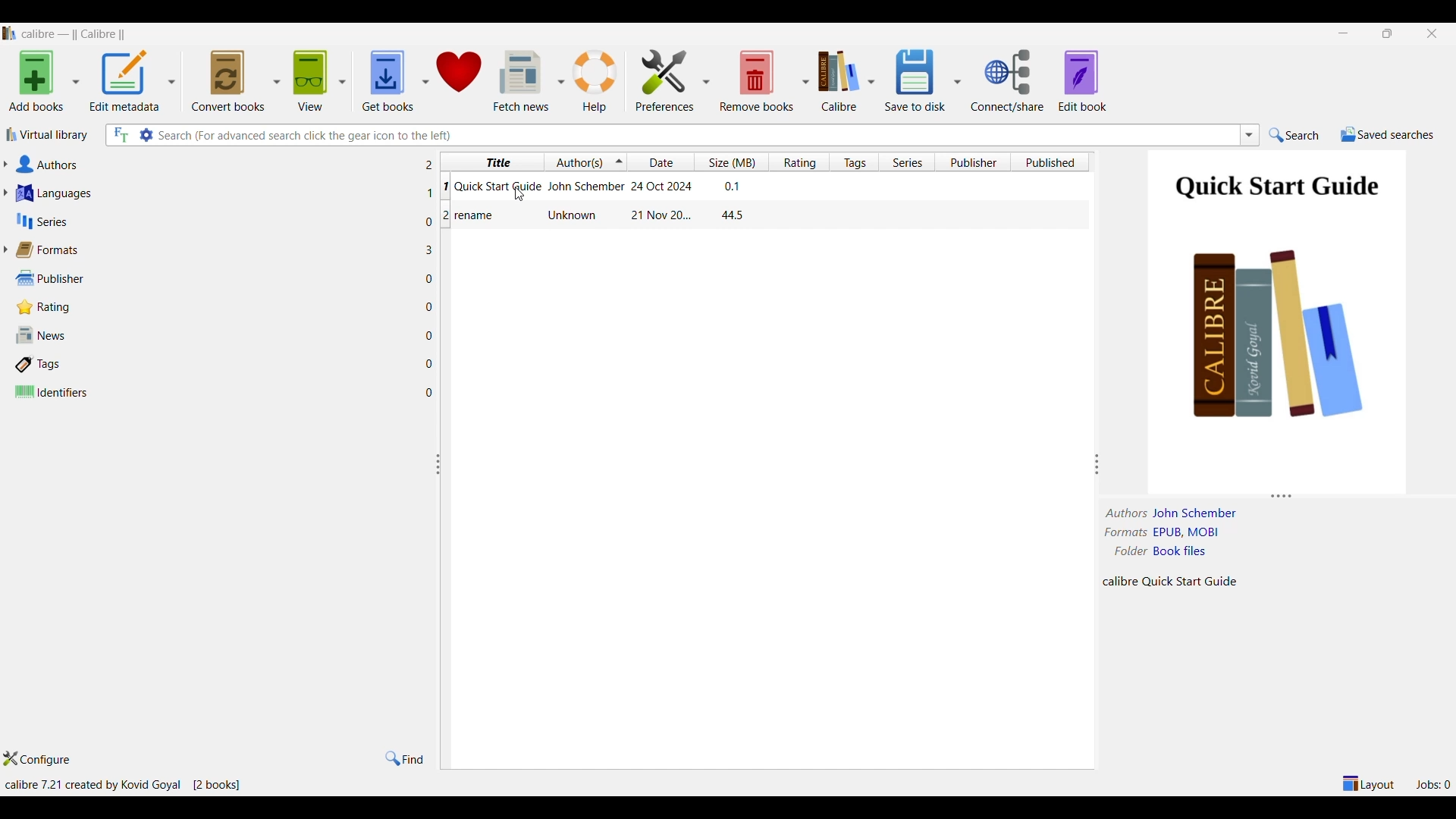 This screenshot has width=1456, height=819. What do you see at coordinates (665, 81) in the screenshot?
I see `Preferences` at bounding box center [665, 81].